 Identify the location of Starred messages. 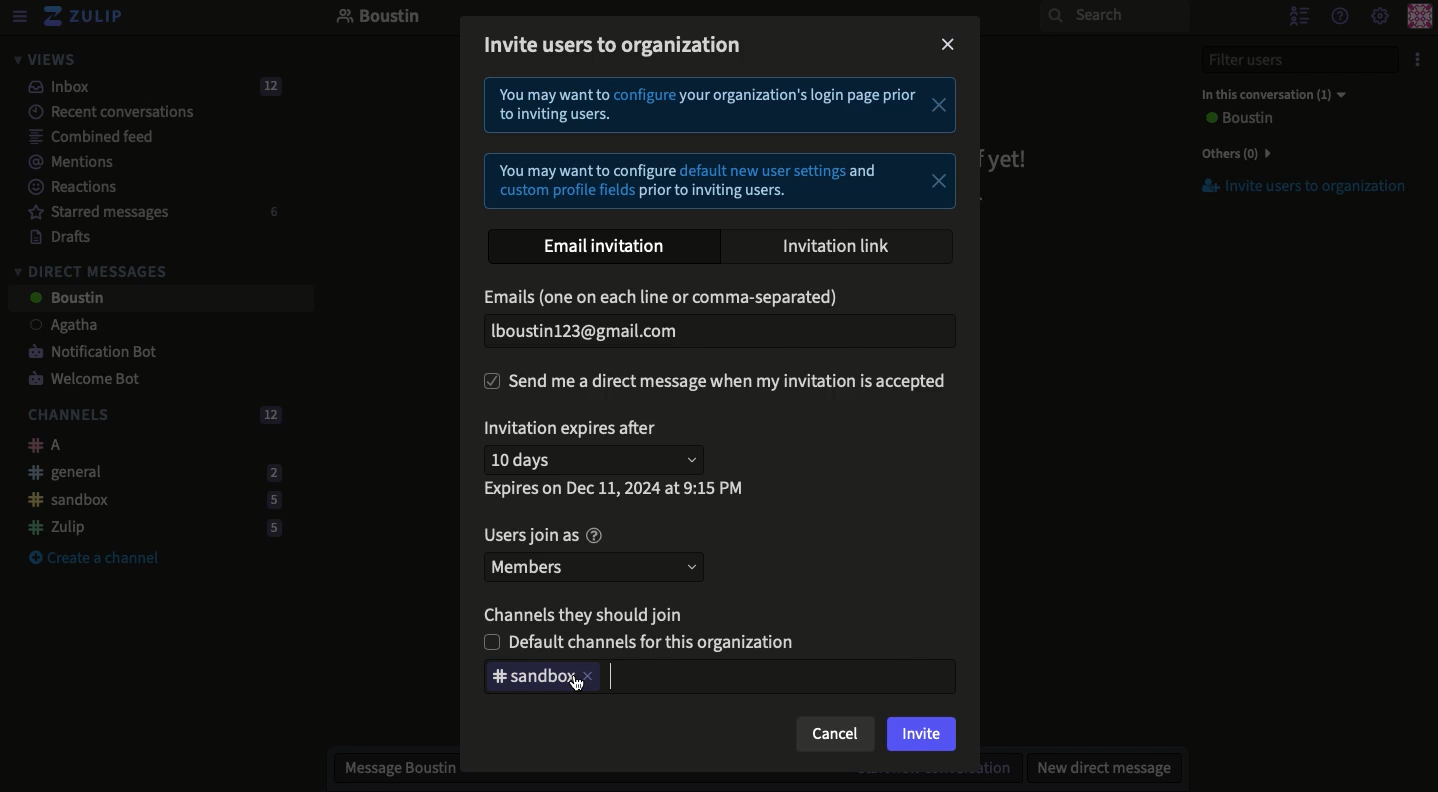
(150, 212).